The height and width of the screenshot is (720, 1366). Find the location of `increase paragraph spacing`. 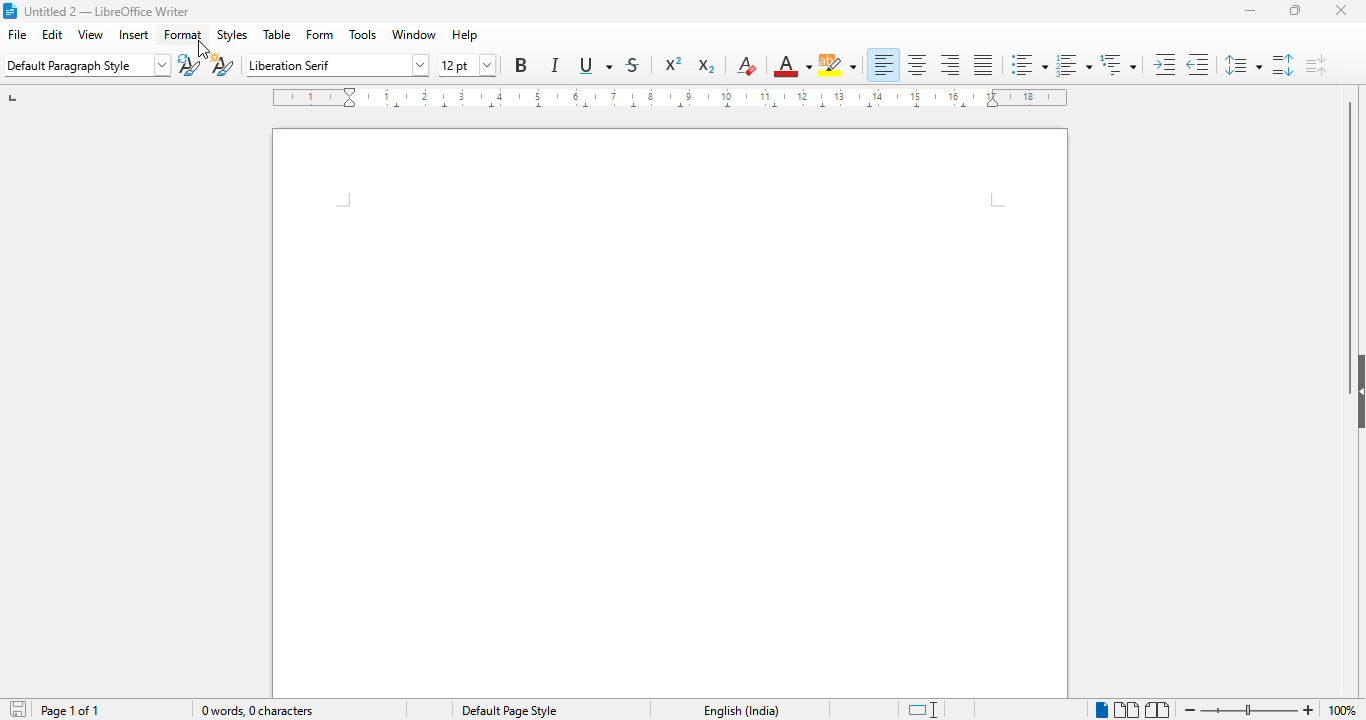

increase paragraph spacing is located at coordinates (1284, 65).